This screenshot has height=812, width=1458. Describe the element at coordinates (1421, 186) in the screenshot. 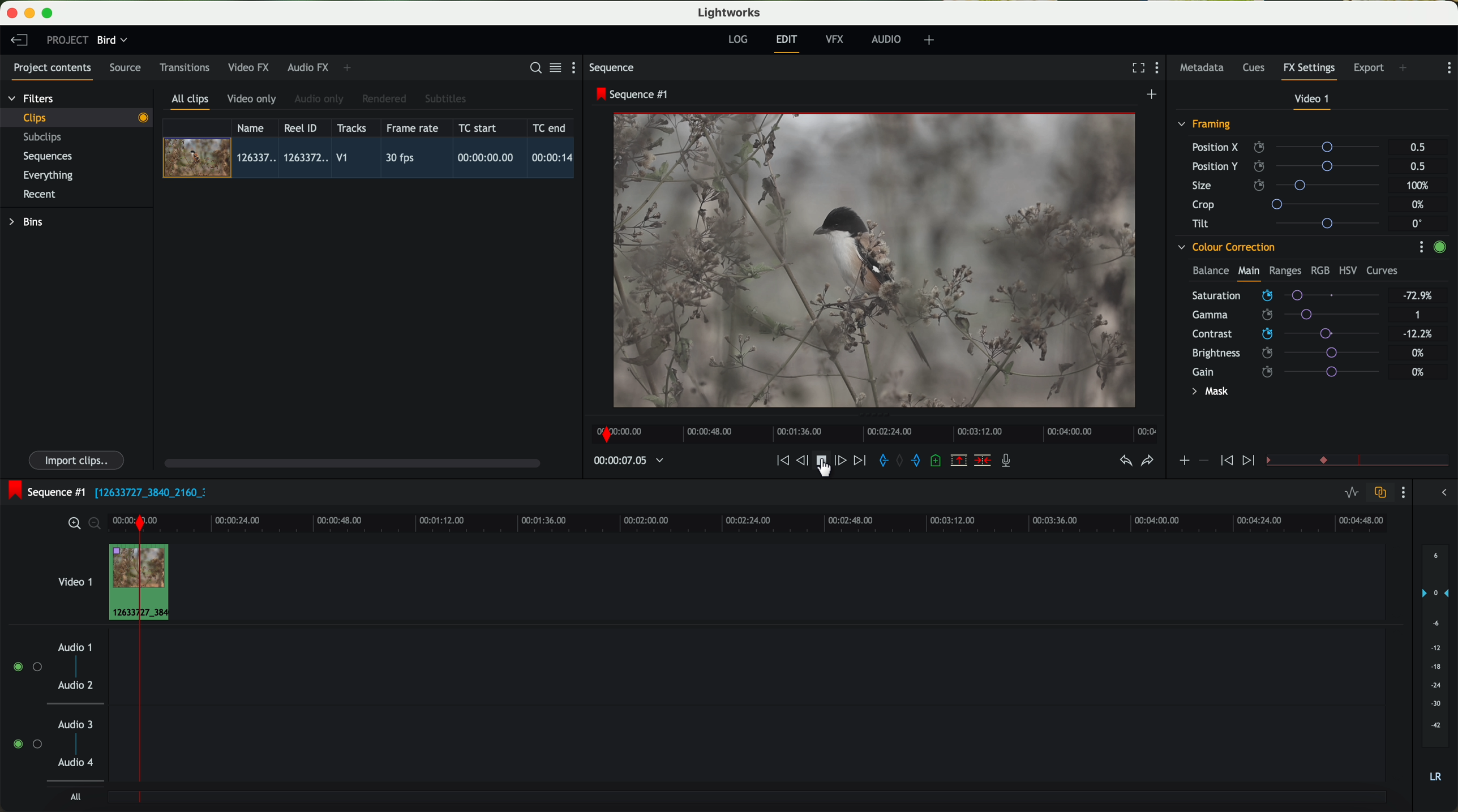

I see `100%` at that location.